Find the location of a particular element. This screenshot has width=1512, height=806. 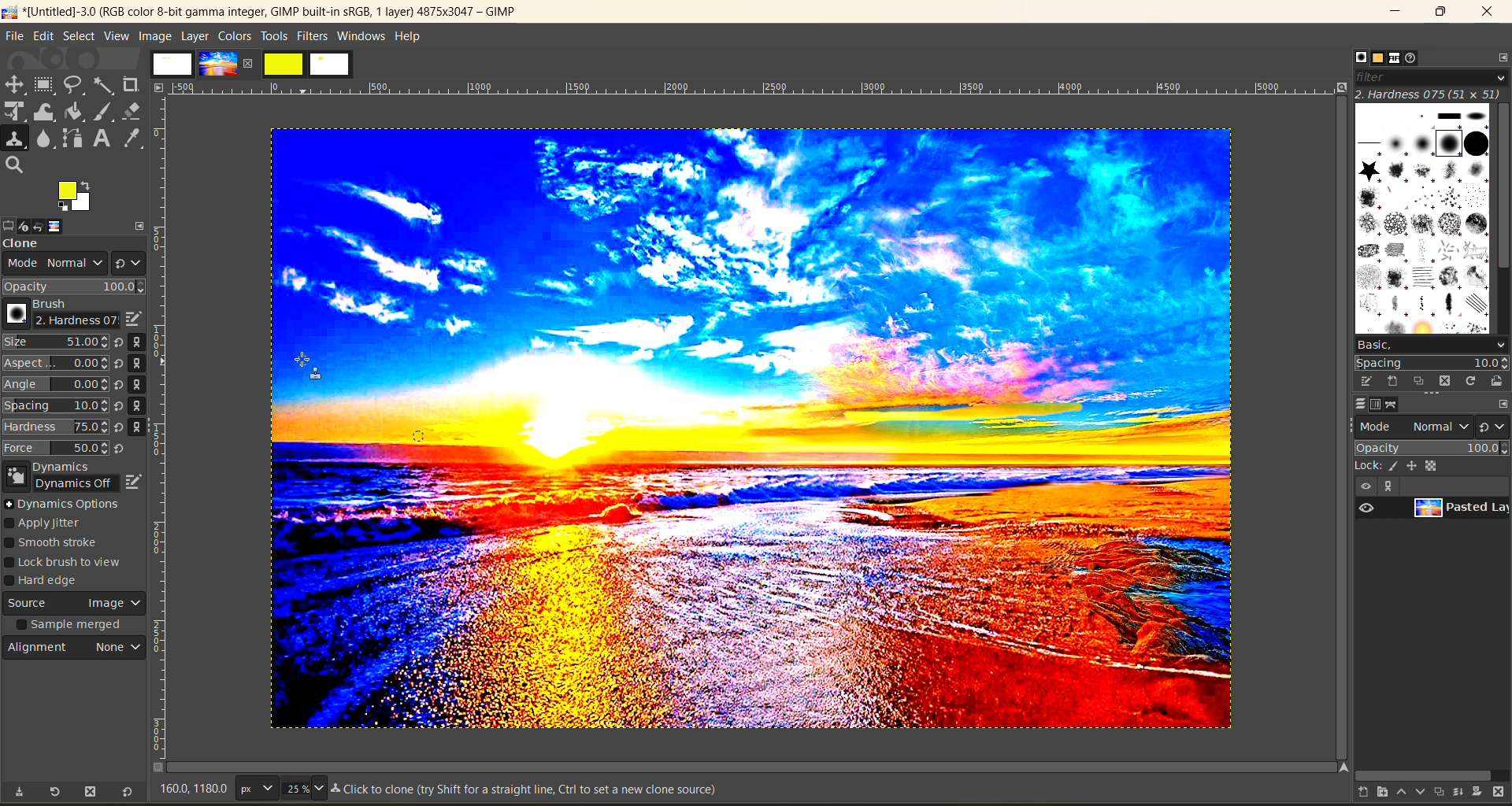

configure is located at coordinates (1499, 57).